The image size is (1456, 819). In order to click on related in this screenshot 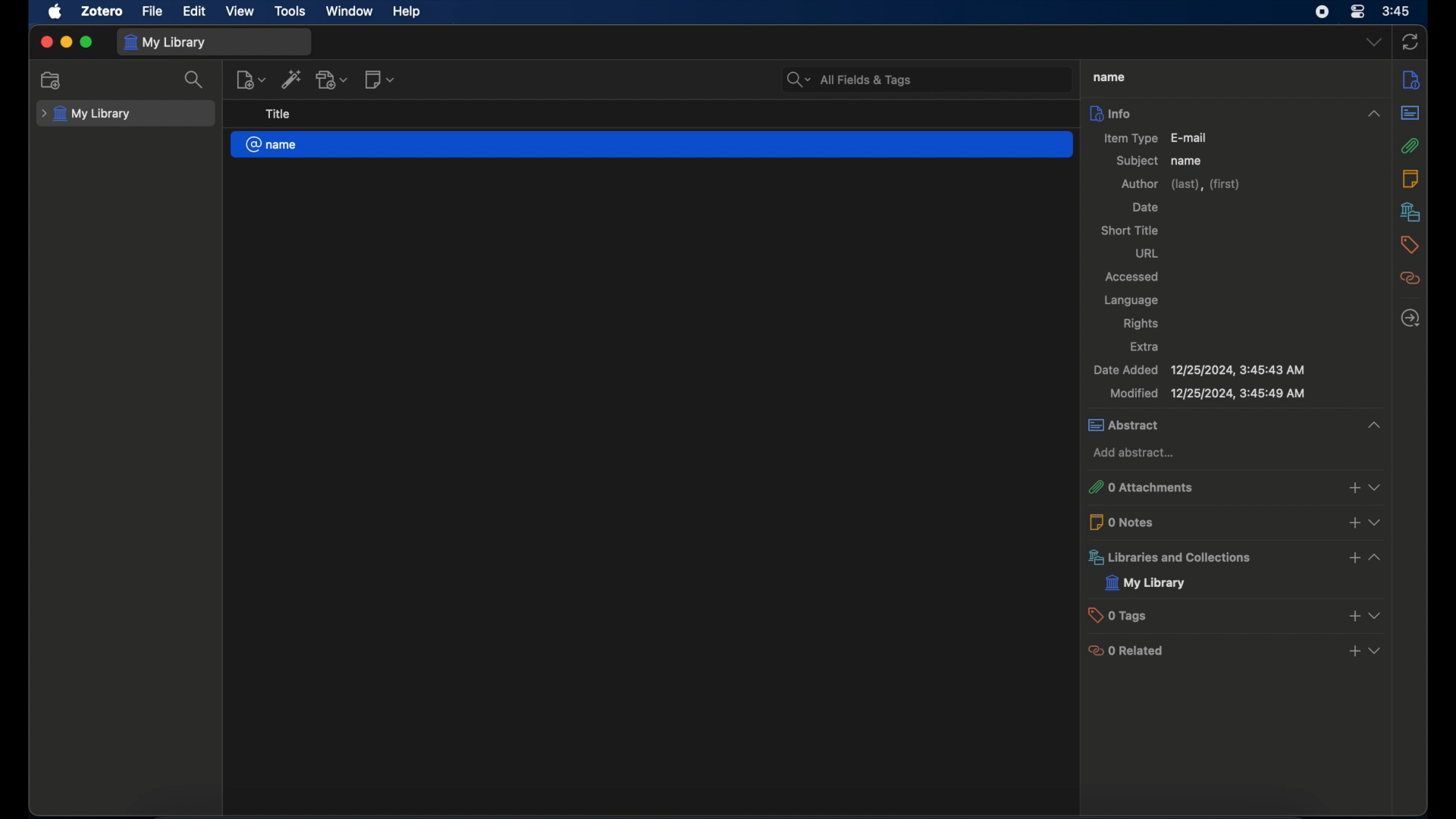, I will do `click(1411, 278)`.